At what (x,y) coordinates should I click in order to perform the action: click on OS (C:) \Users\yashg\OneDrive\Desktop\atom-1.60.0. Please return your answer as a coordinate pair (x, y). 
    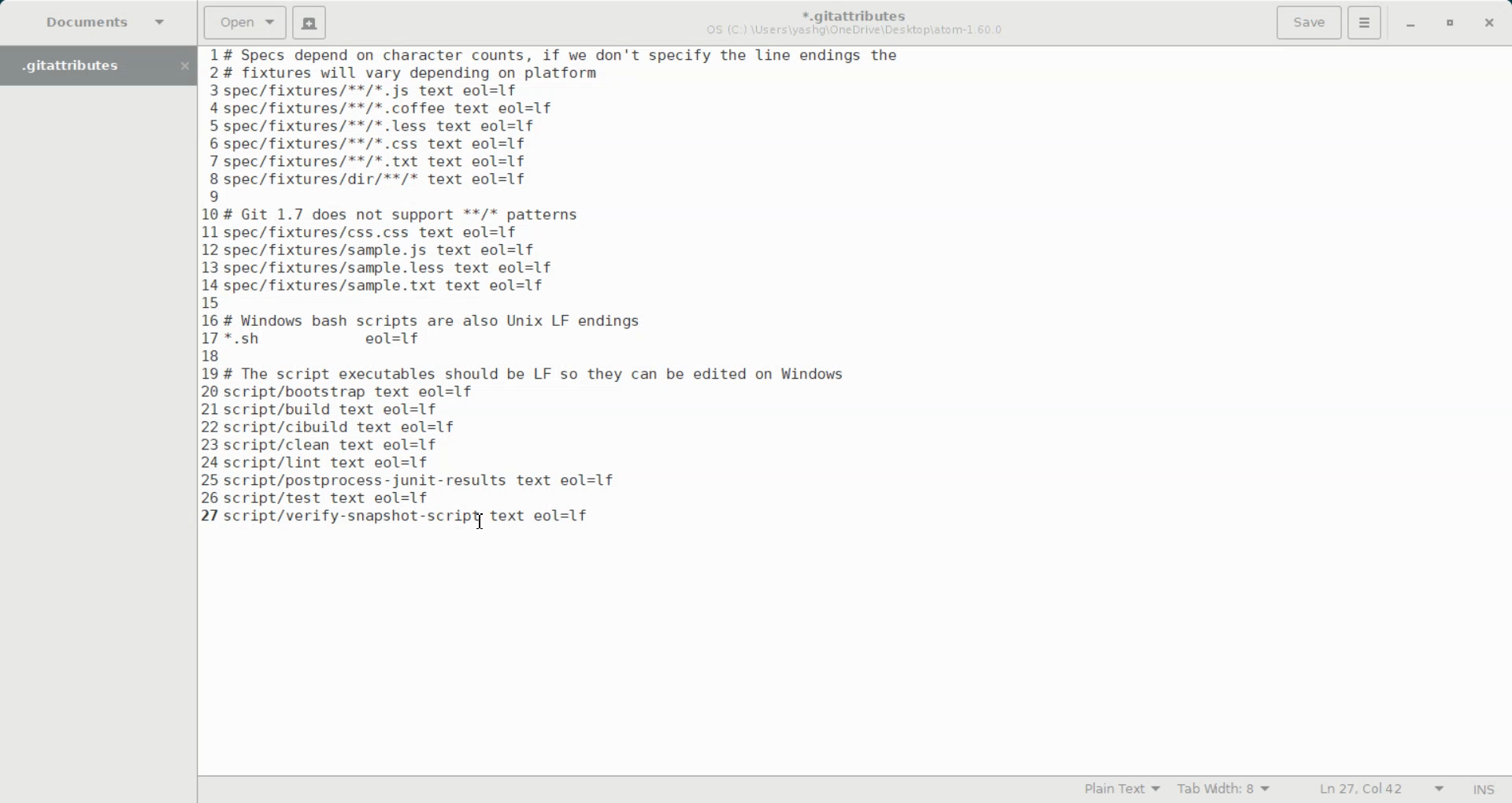
    Looking at the image, I should click on (858, 31).